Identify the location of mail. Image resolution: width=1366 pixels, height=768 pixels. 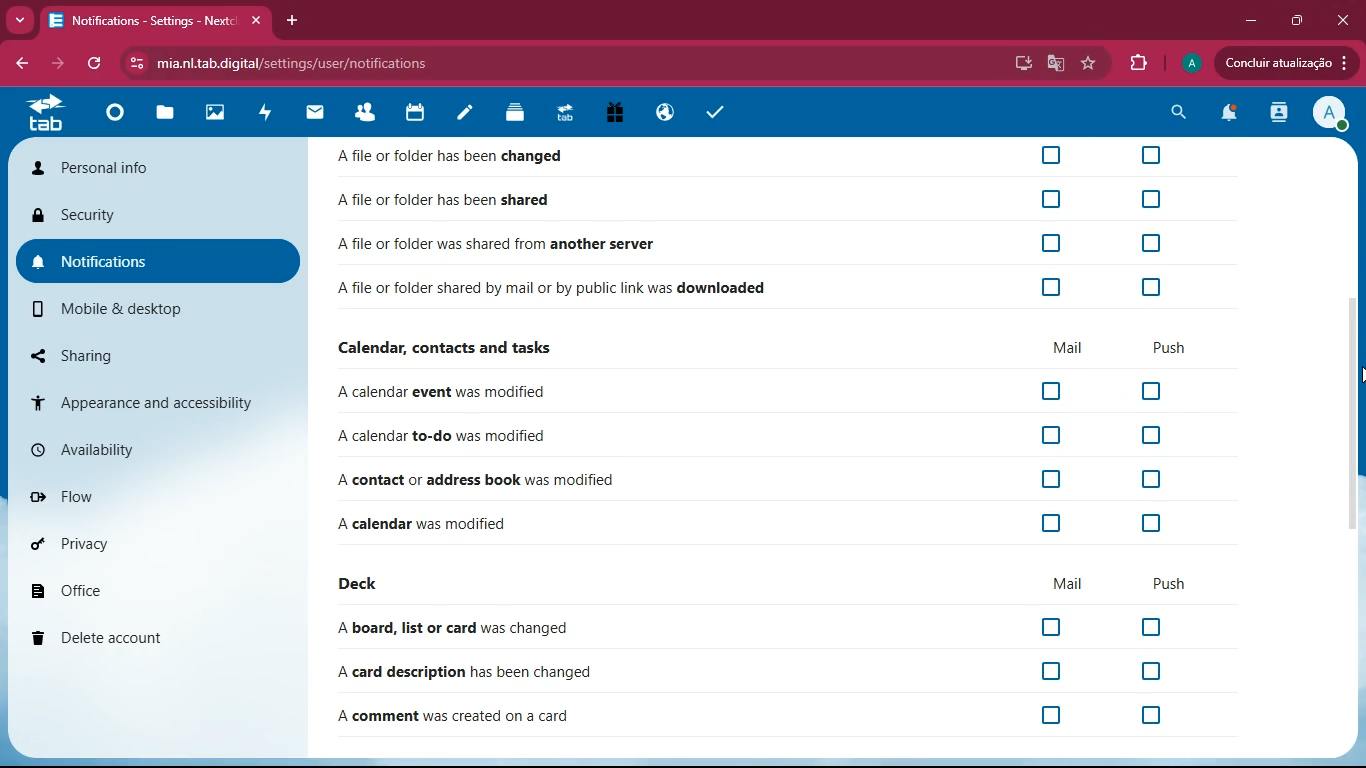
(1064, 349).